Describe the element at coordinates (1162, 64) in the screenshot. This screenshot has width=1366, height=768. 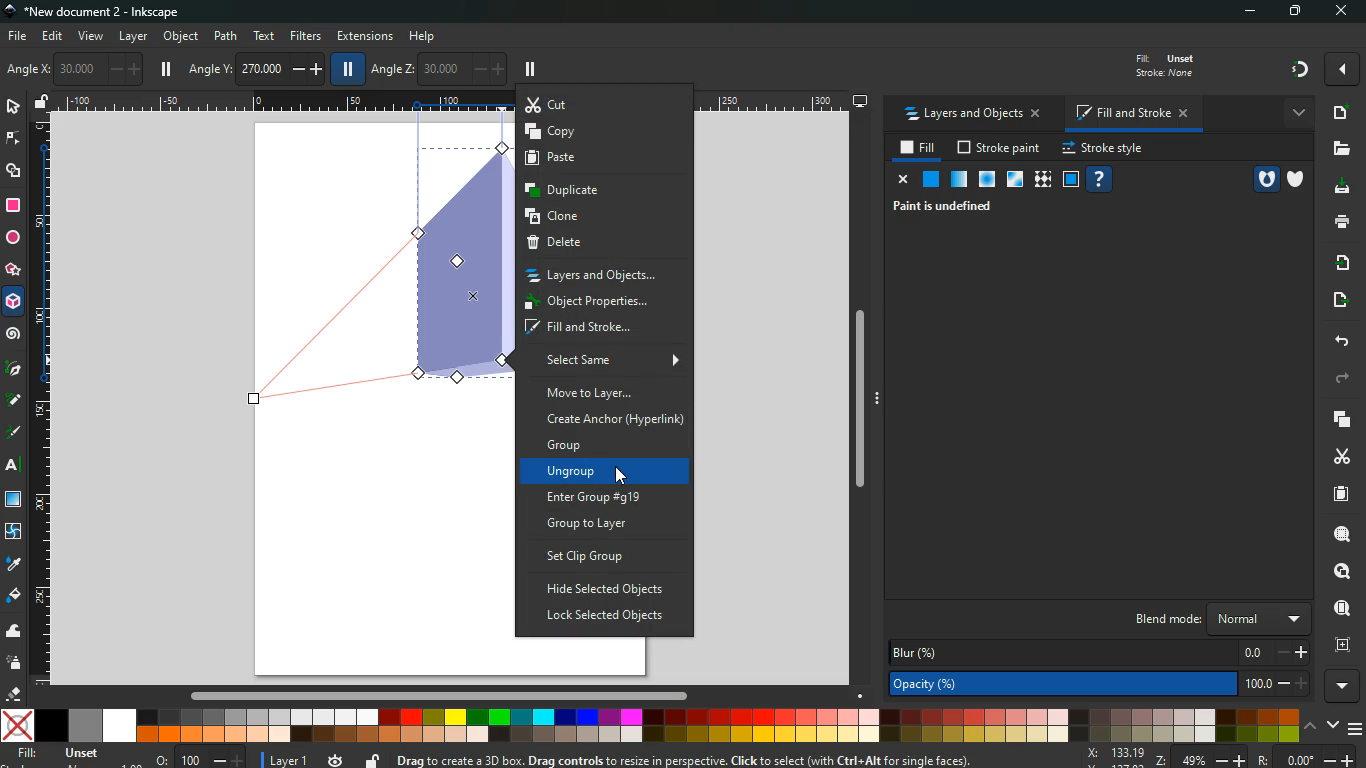
I see `fill` at that location.